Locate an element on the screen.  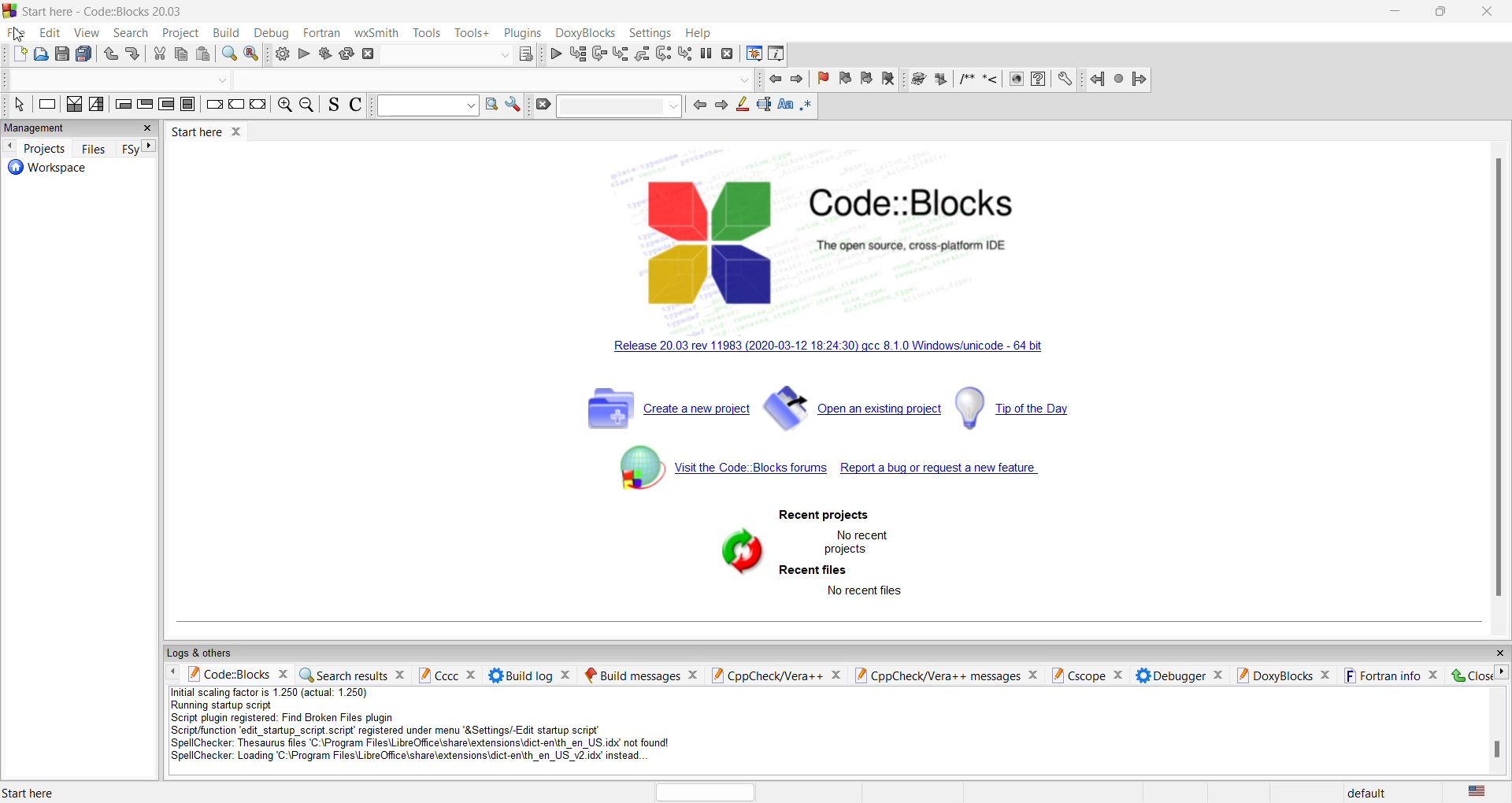
step into instruction is located at coordinates (684, 54).